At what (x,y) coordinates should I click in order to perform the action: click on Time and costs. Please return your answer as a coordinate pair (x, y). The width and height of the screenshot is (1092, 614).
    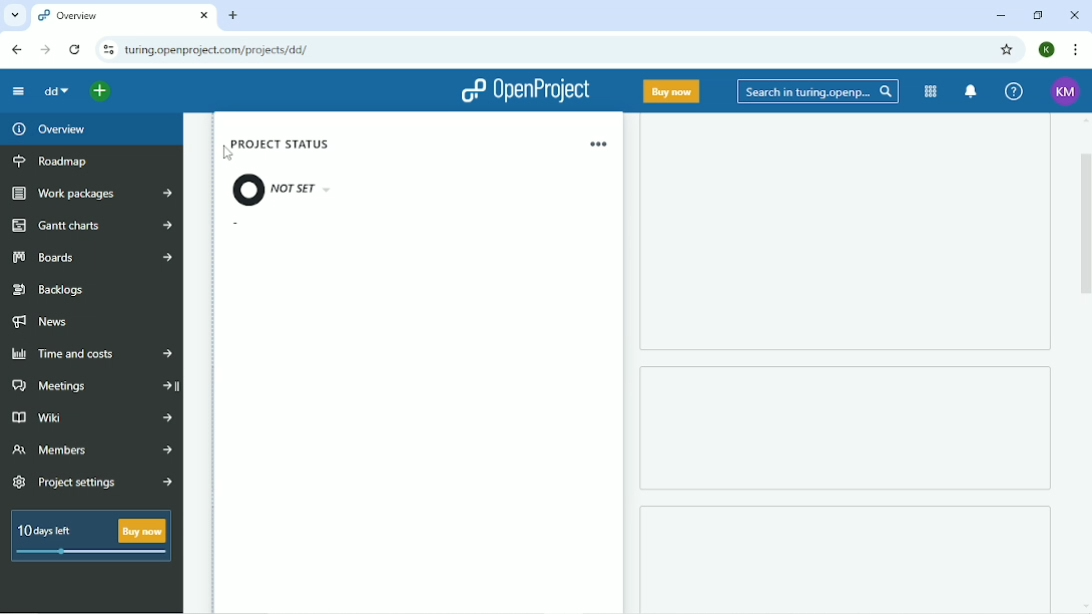
    Looking at the image, I should click on (92, 352).